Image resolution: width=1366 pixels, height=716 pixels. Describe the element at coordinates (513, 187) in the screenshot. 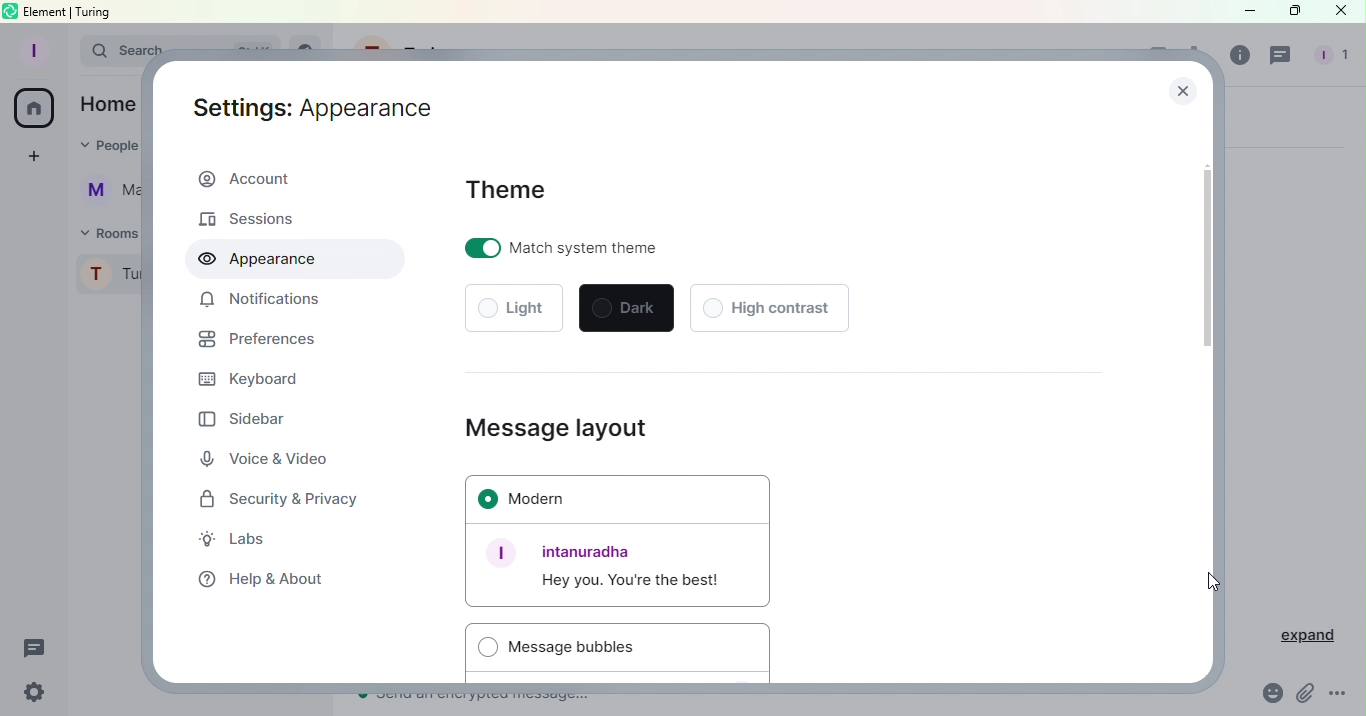

I see `Theme` at that location.